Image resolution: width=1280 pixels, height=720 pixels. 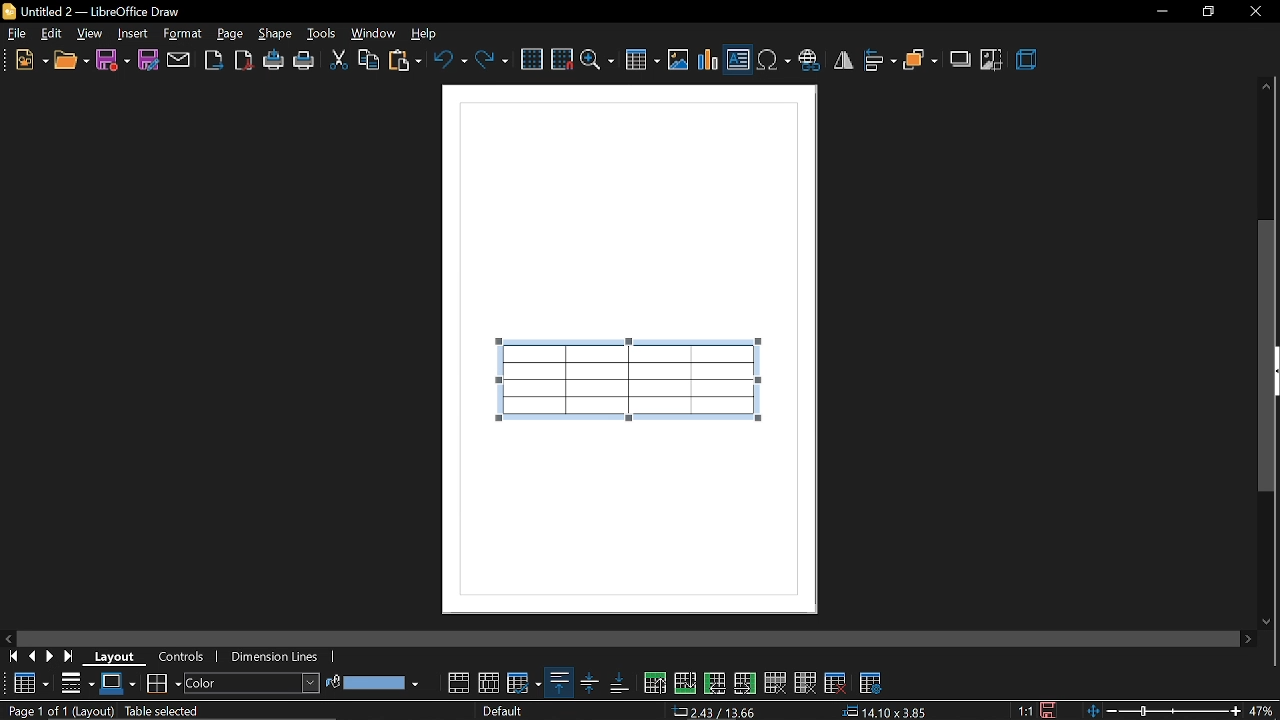 I want to click on format, so click(x=183, y=33).